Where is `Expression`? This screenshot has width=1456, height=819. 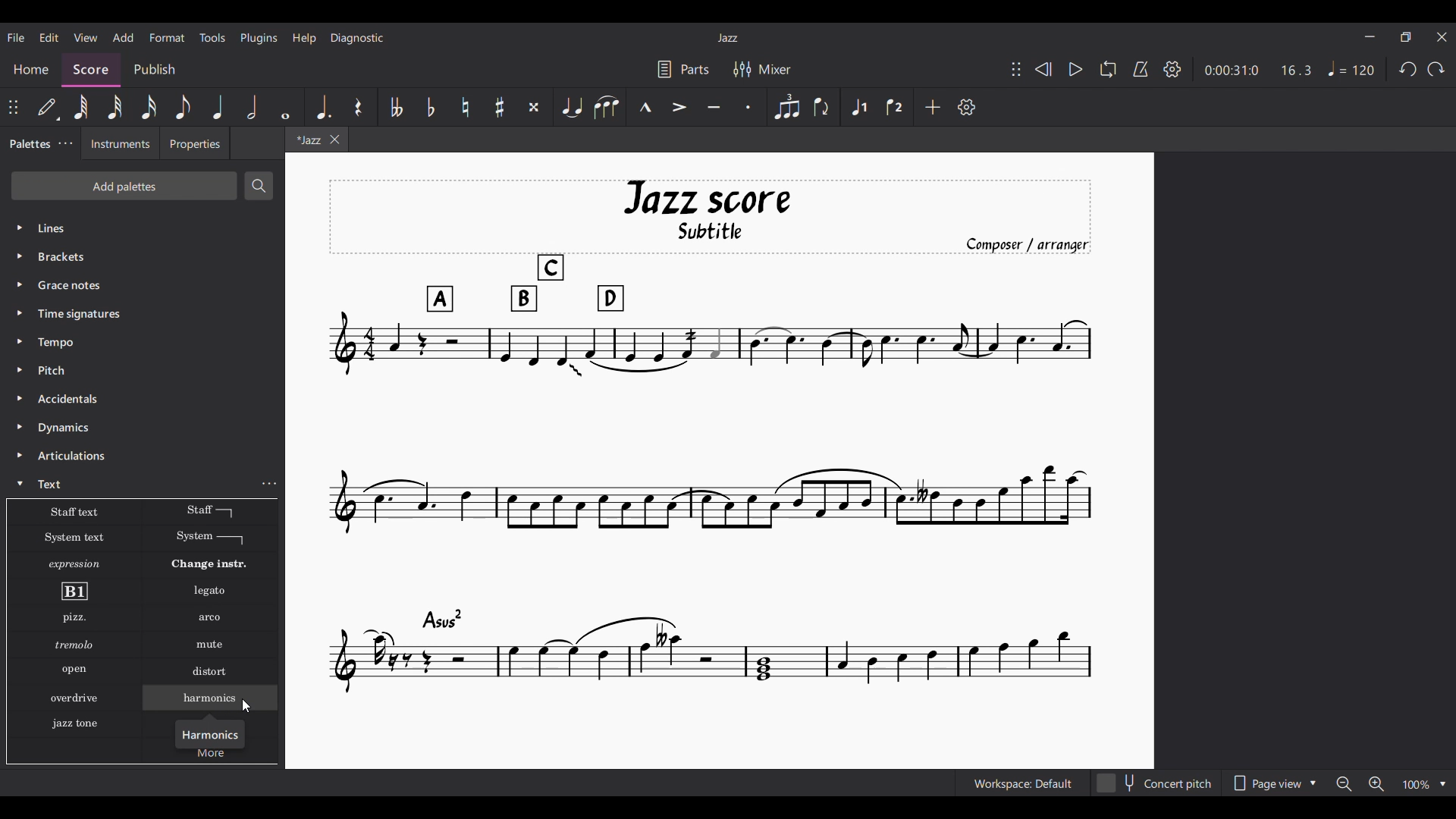 Expression is located at coordinates (77, 564).